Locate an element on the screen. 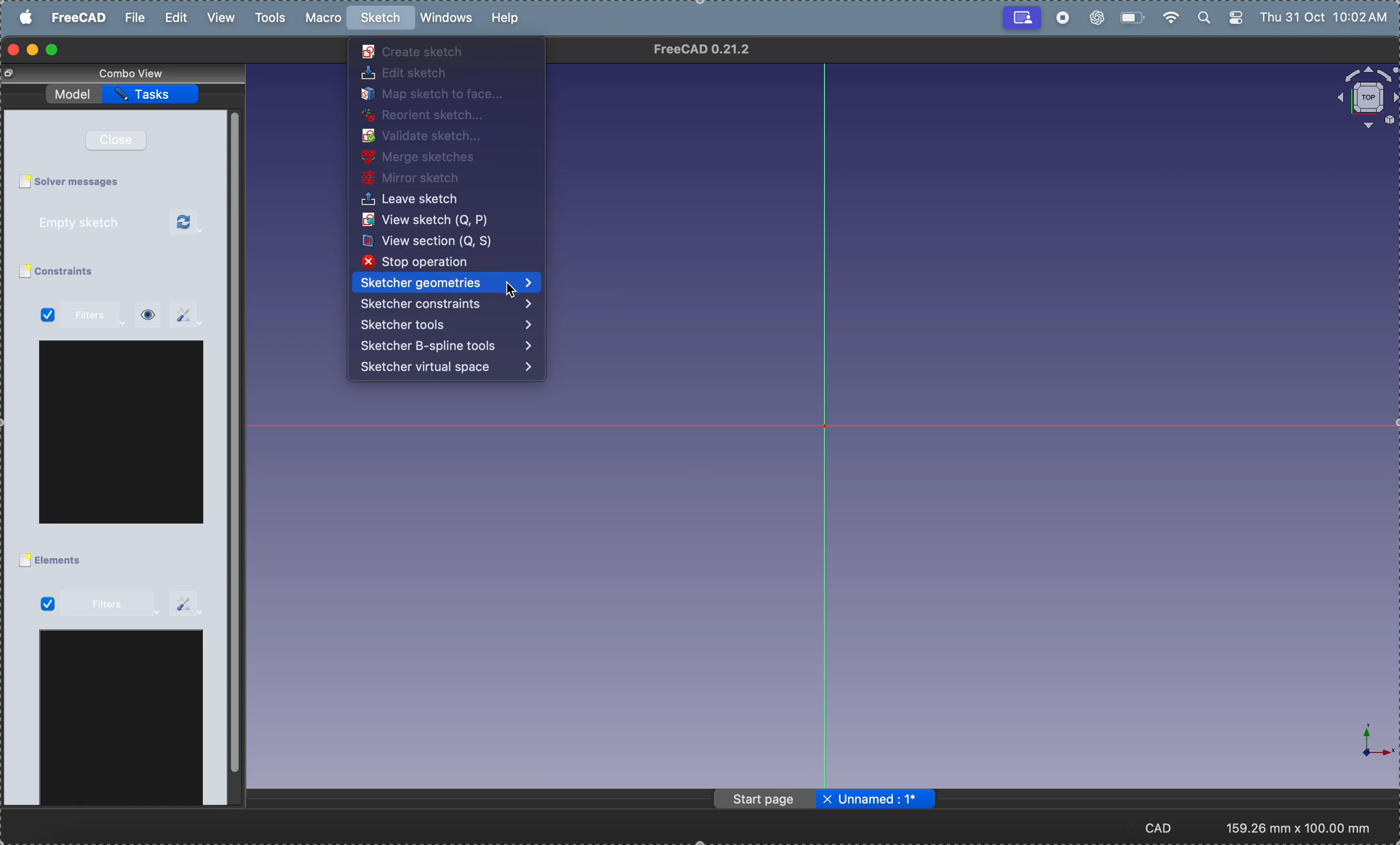  filters is located at coordinates (97, 316).